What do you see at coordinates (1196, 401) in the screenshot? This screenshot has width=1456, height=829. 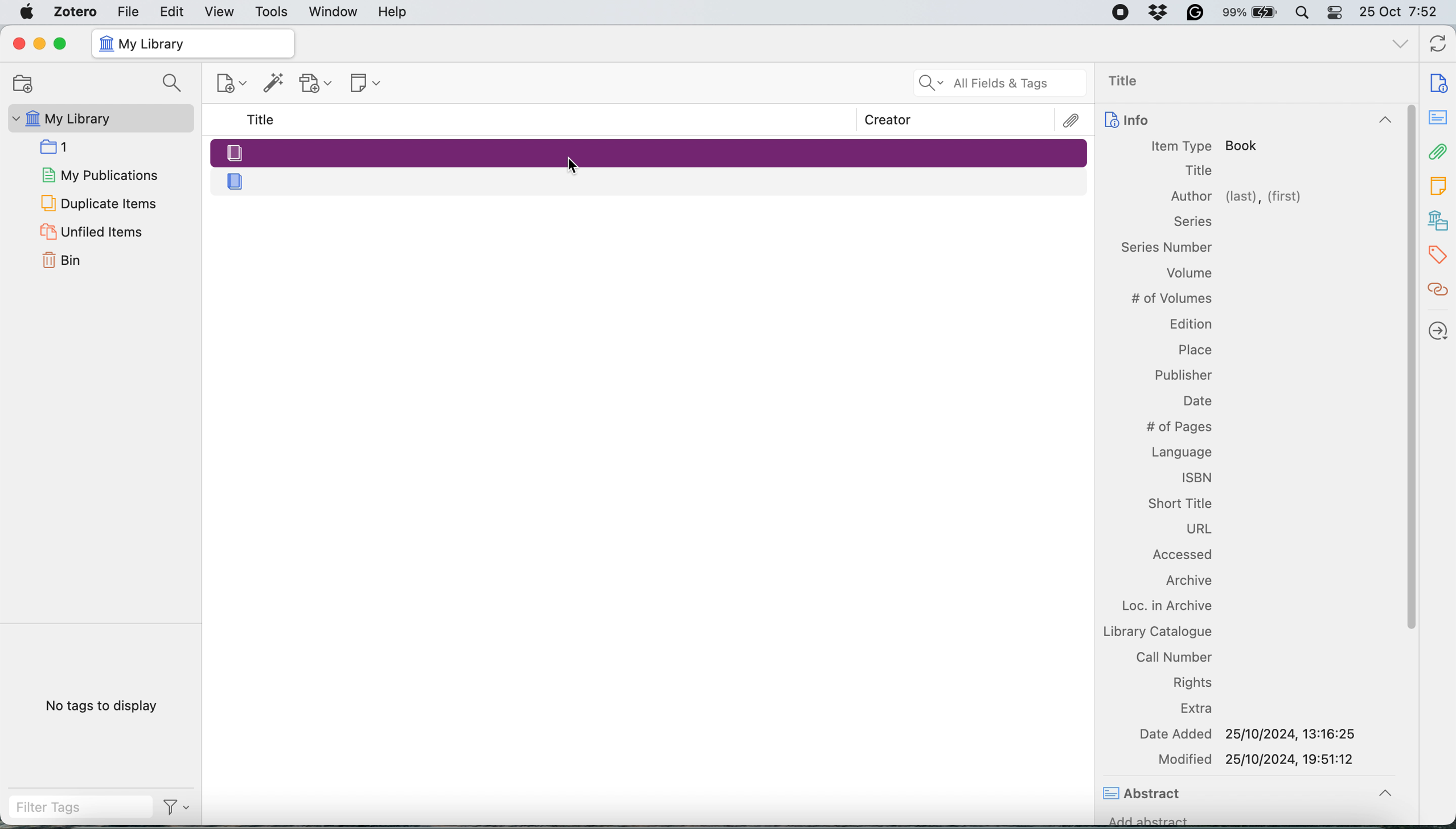 I see `Date` at bounding box center [1196, 401].